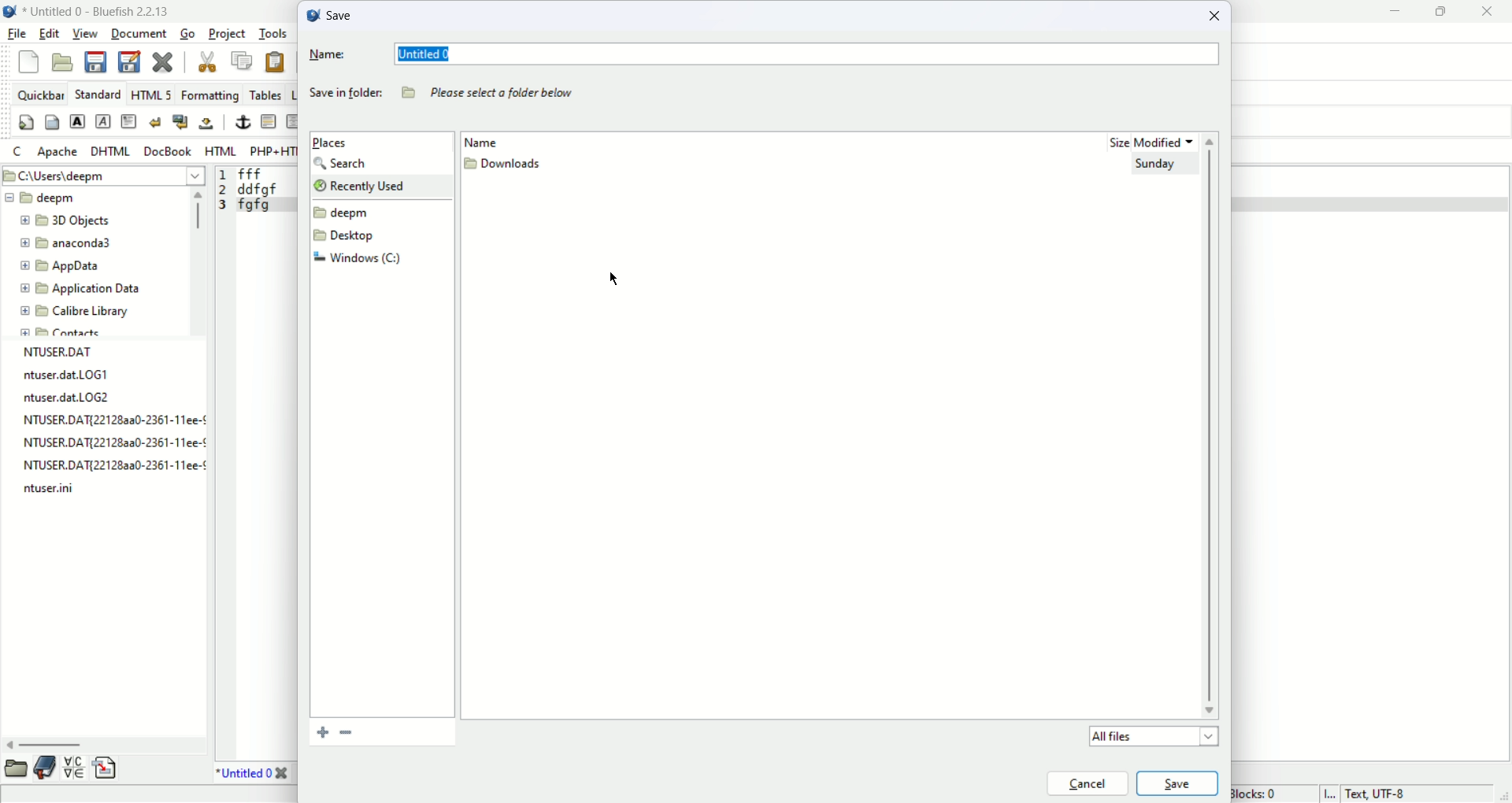 Image resolution: width=1512 pixels, height=803 pixels. I want to click on save, so click(330, 14).